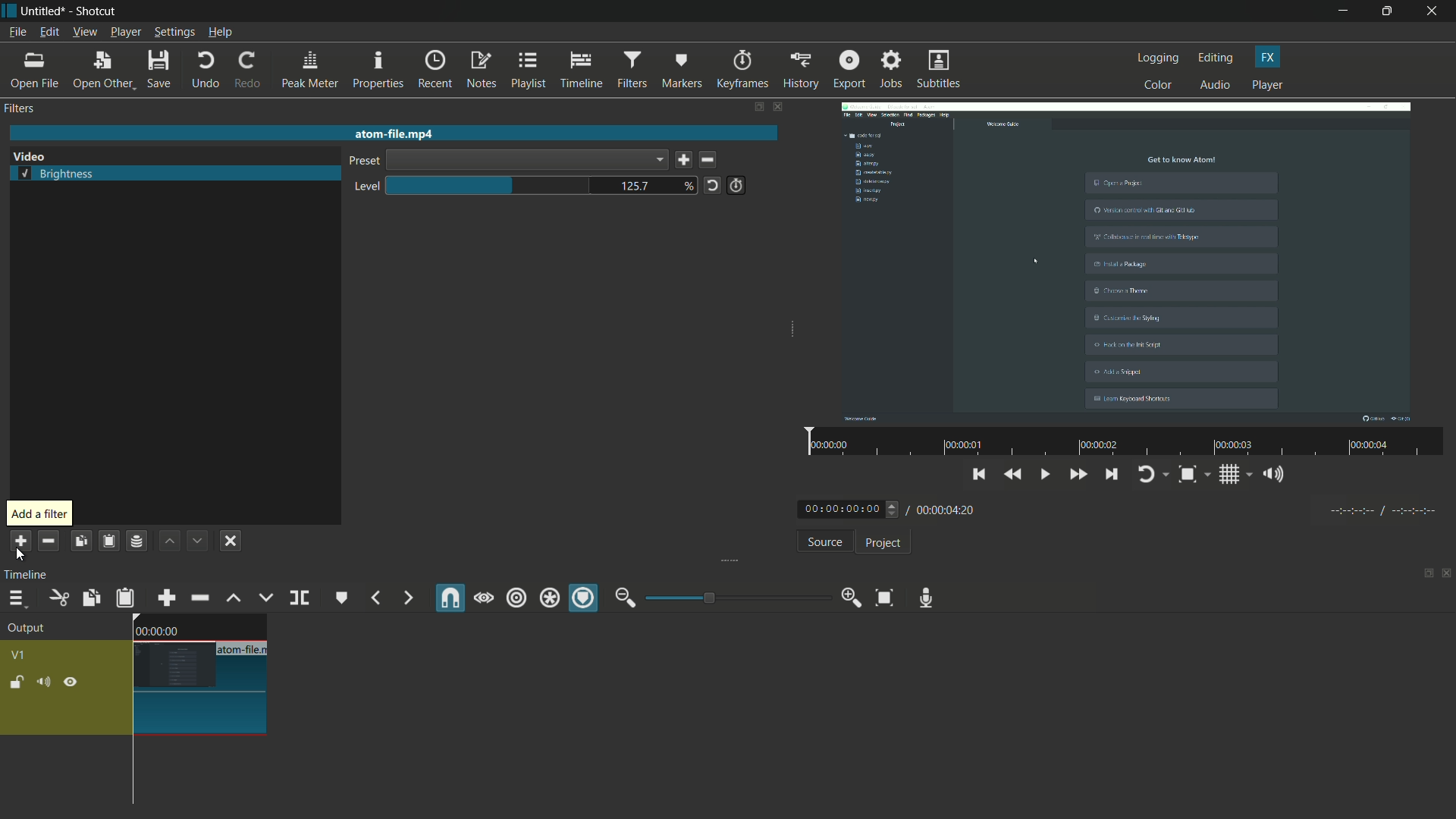 This screenshot has width=1456, height=819. What do you see at coordinates (635, 187) in the screenshot?
I see `125.7` at bounding box center [635, 187].